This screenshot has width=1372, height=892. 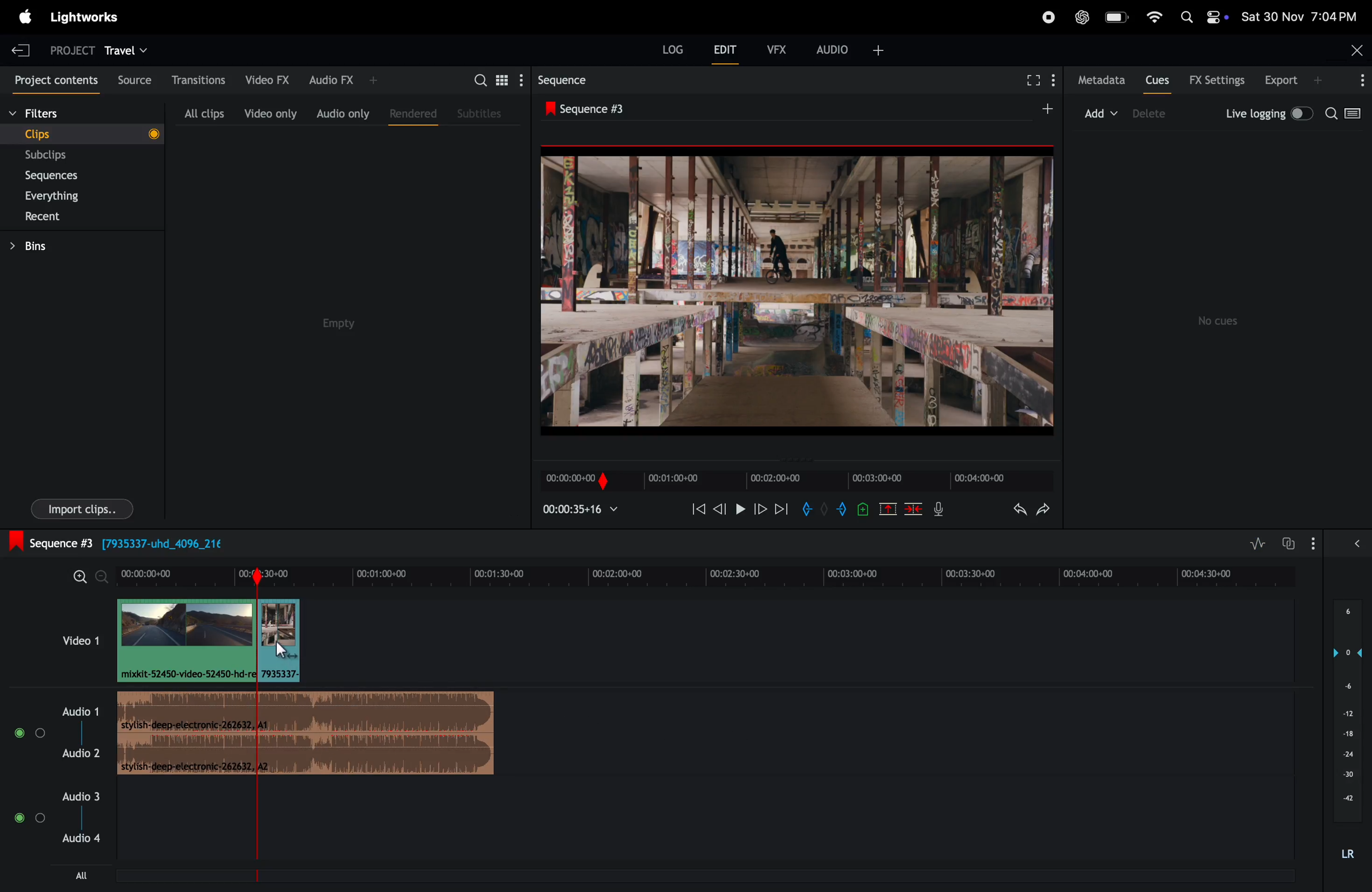 What do you see at coordinates (803, 510) in the screenshot?
I see `` at bounding box center [803, 510].